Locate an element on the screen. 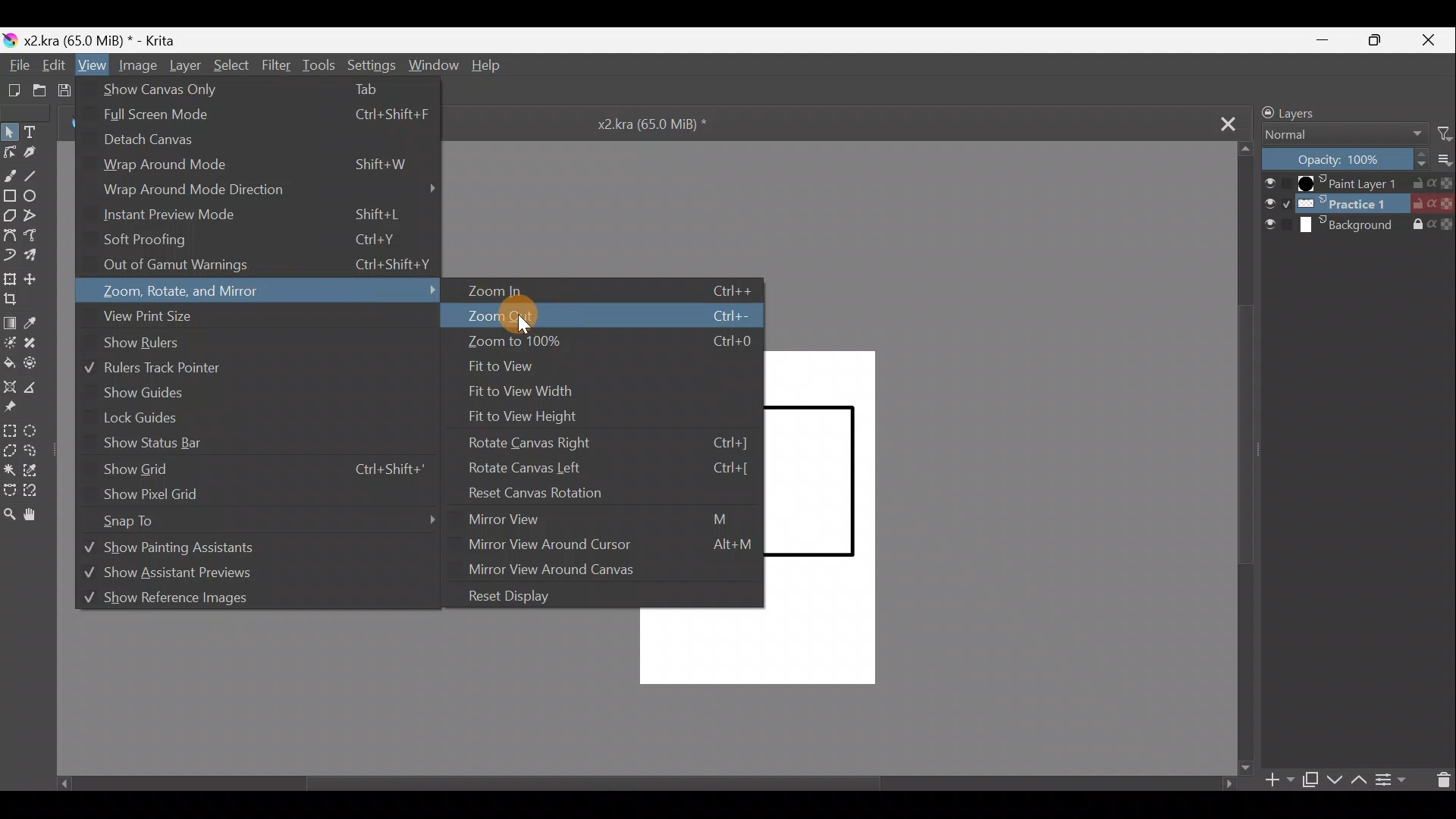 The image size is (1456, 819). Fit to view width is located at coordinates (543, 391).